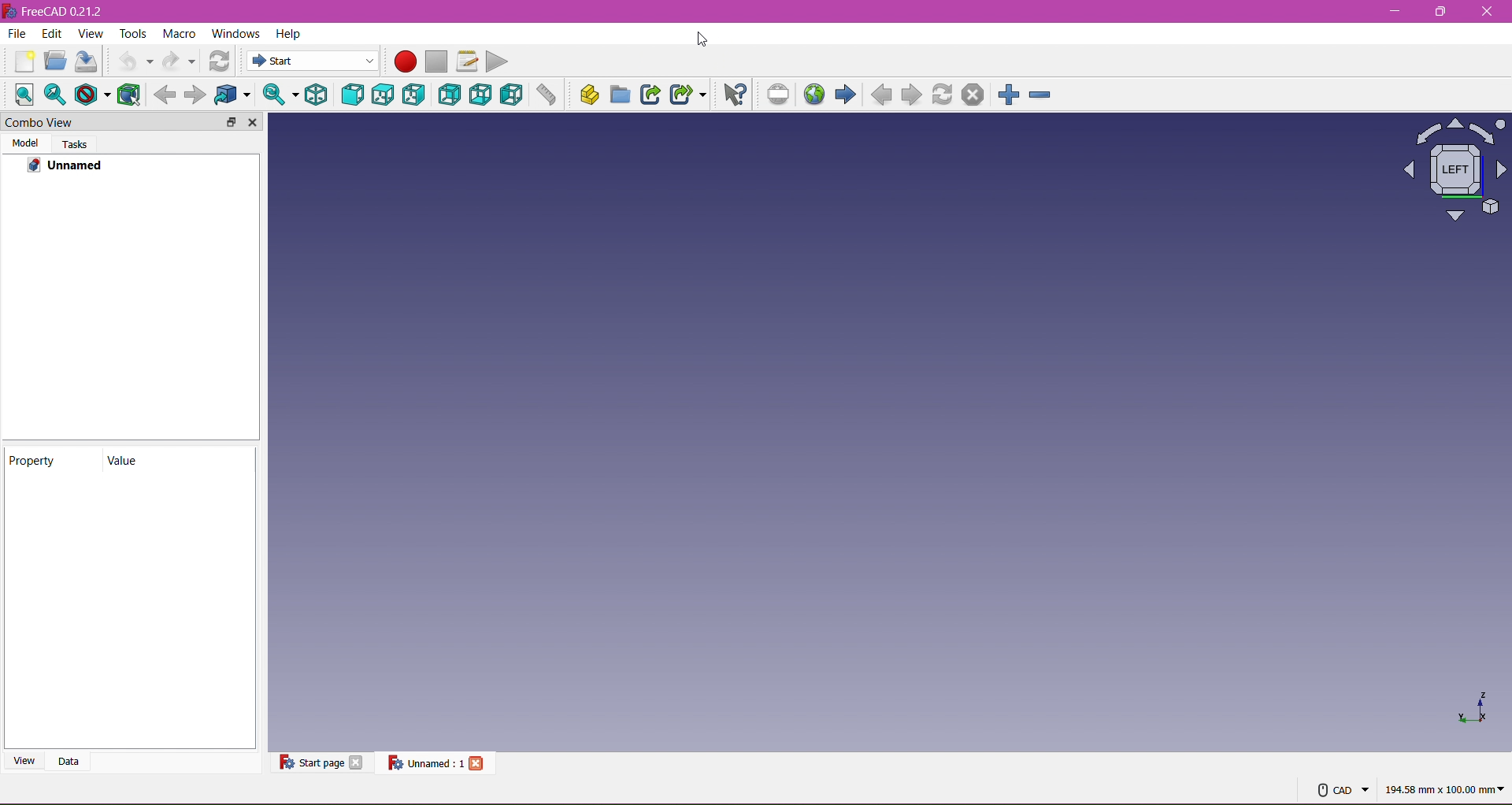 The height and width of the screenshot is (805, 1512). What do you see at coordinates (405, 61) in the screenshot?
I see `Record Macro (Red Circle)` at bounding box center [405, 61].